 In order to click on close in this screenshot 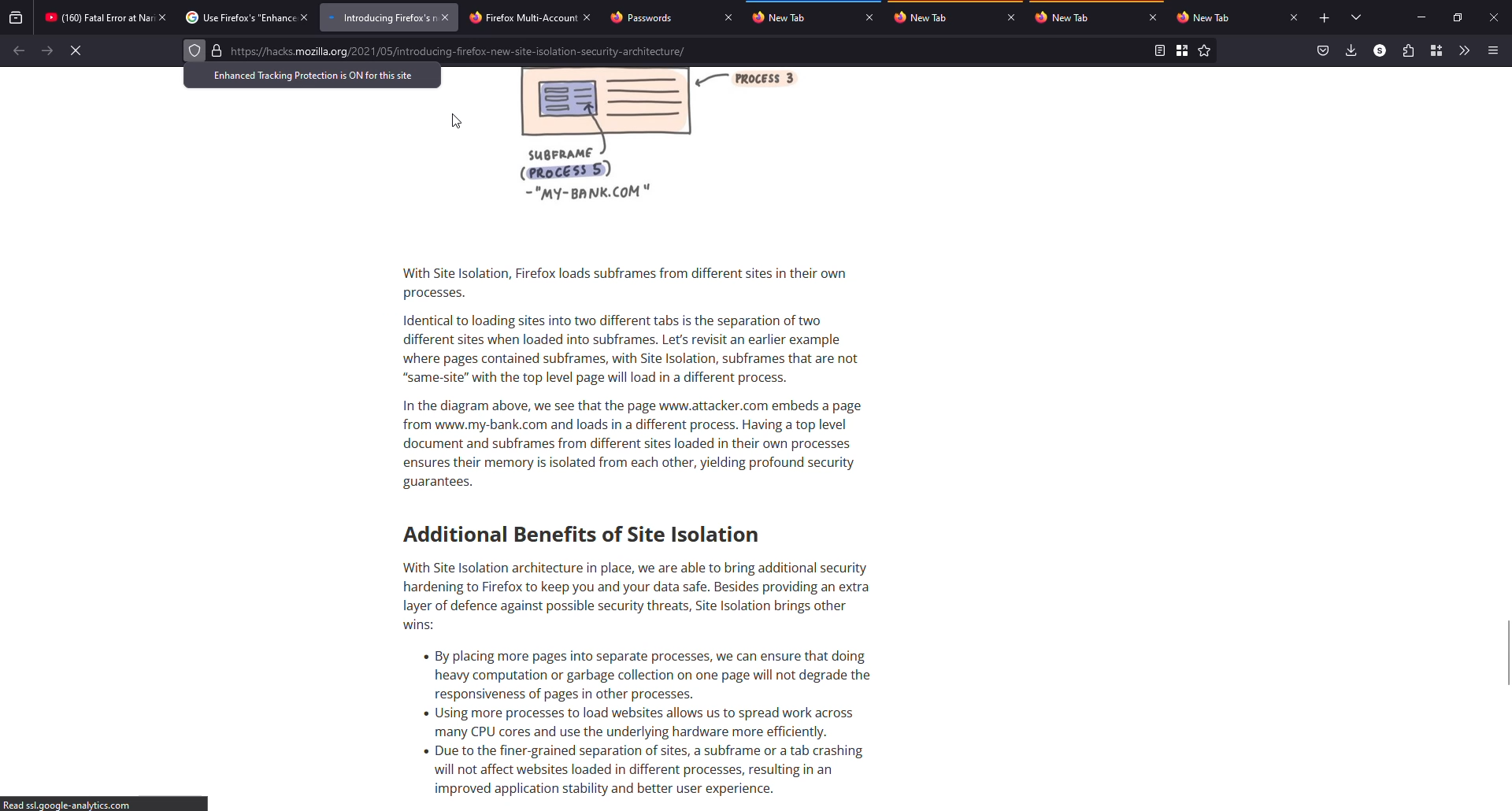, I will do `click(1295, 17)`.